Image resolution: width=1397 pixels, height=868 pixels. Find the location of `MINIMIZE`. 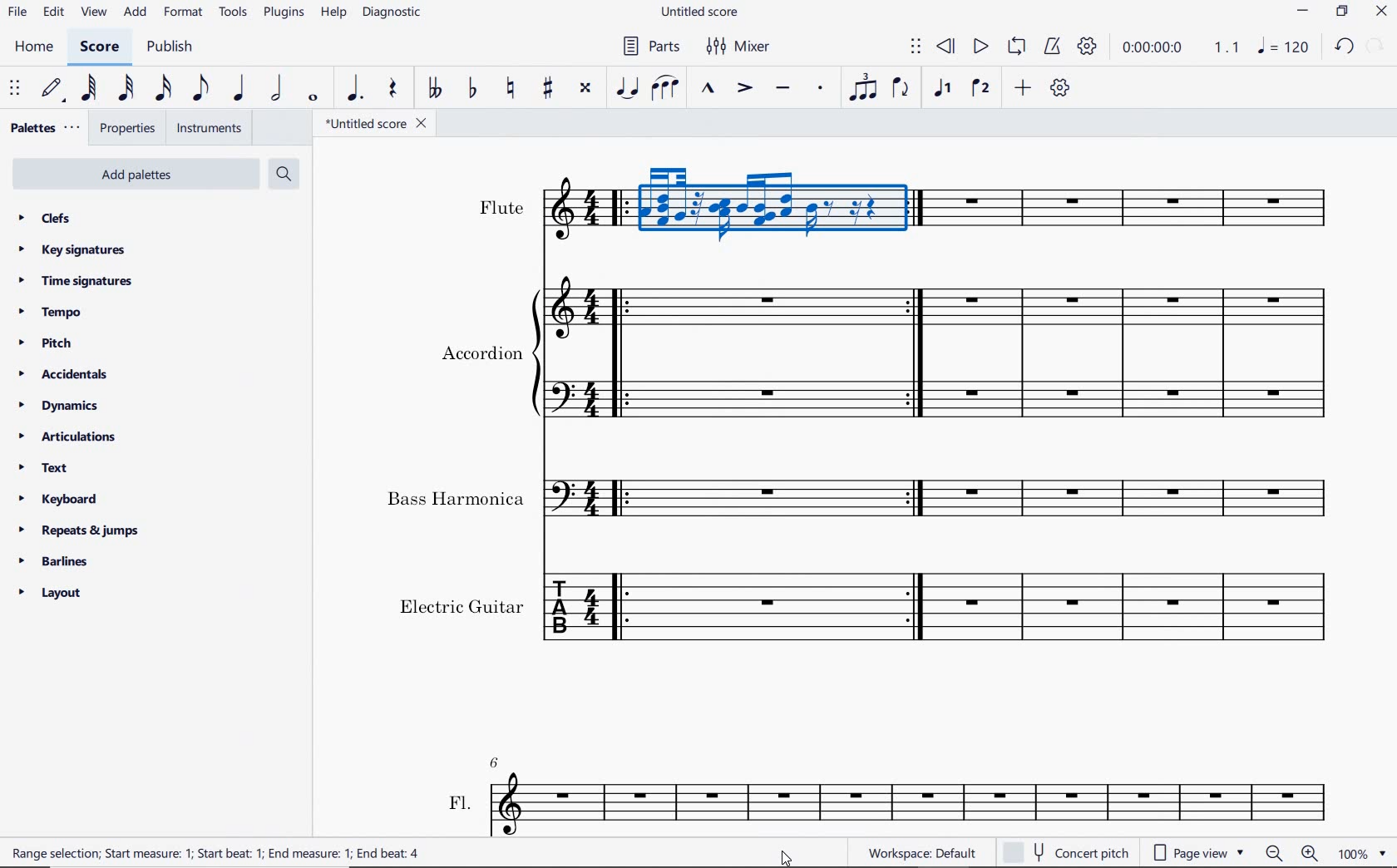

MINIMIZE is located at coordinates (1302, 13).